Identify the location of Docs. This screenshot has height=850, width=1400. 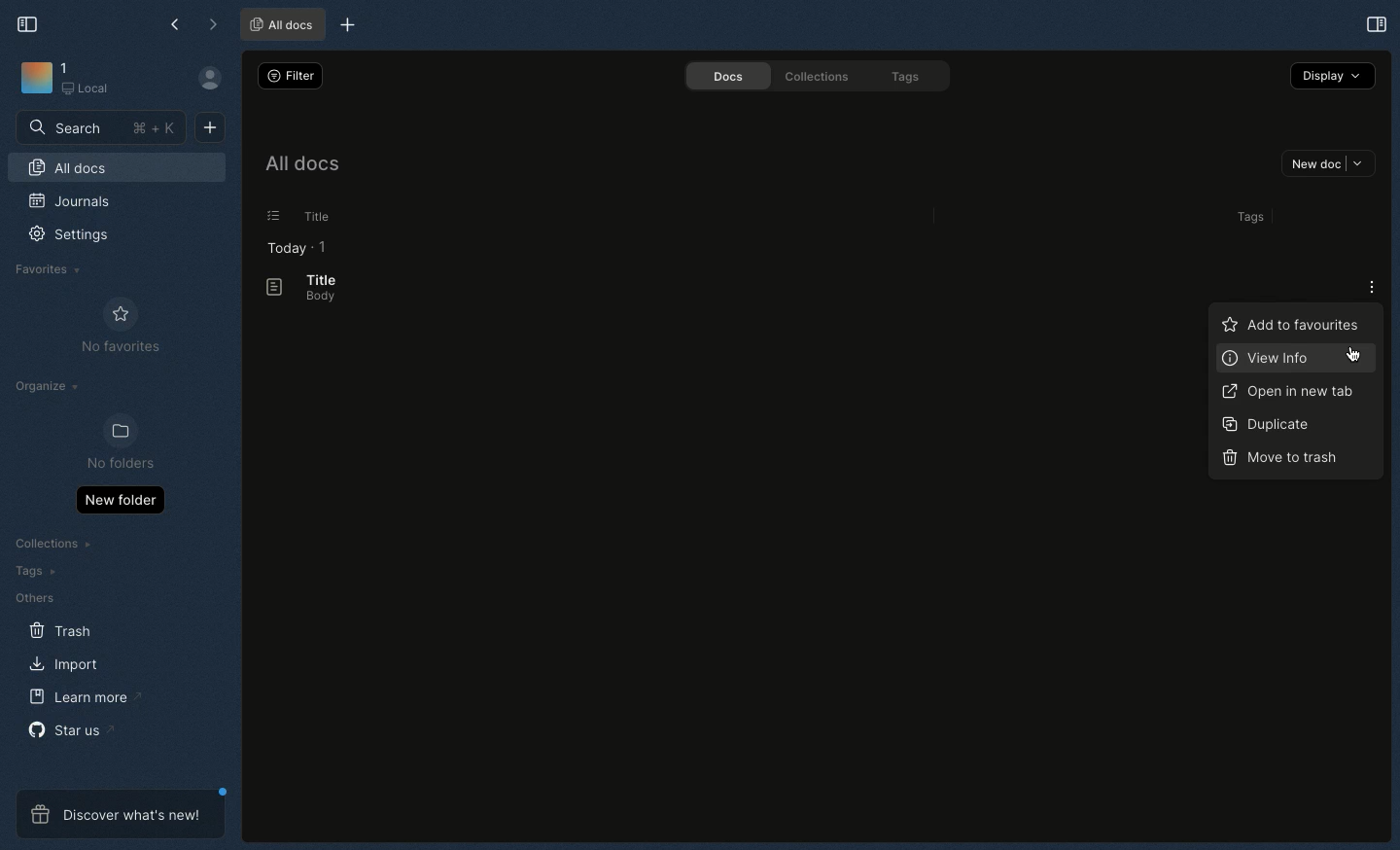
(720, 76).